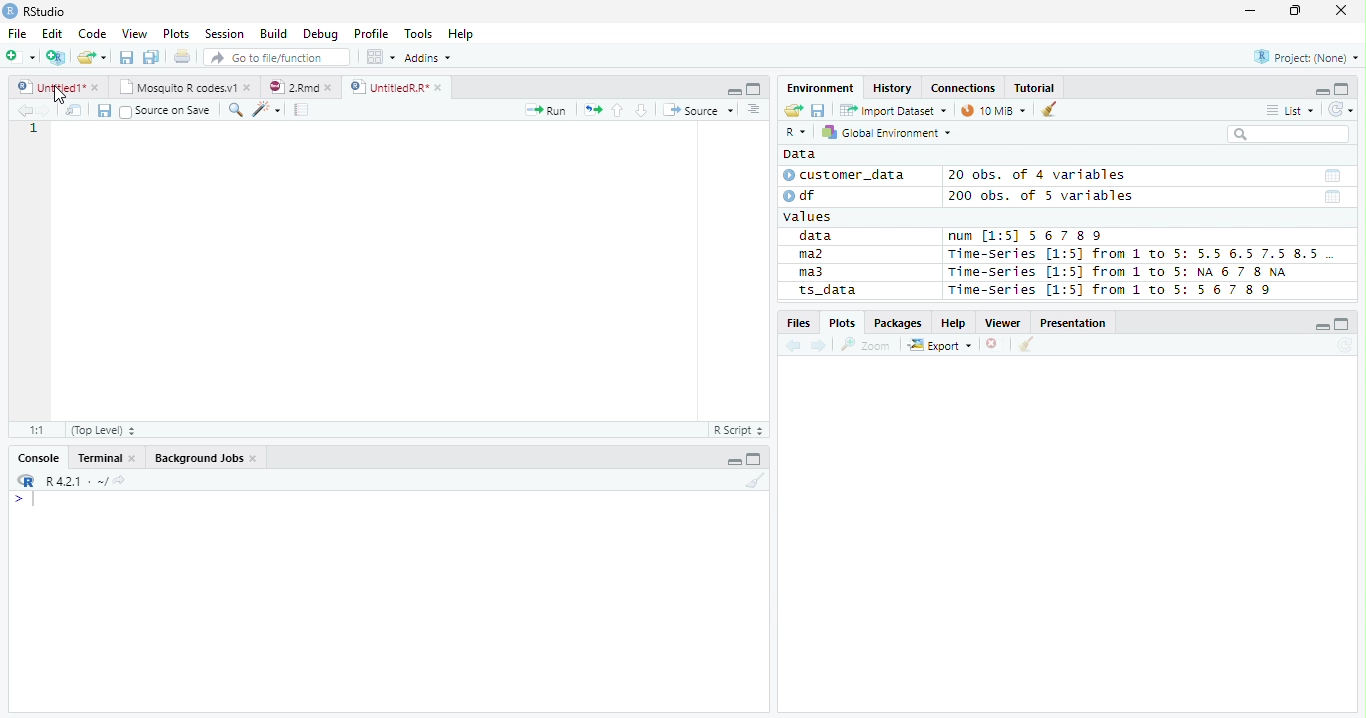 The image size is (1366, 718). Describe the element at coordinates (176, 34) in the screenshot. I see `Plots` at that location.